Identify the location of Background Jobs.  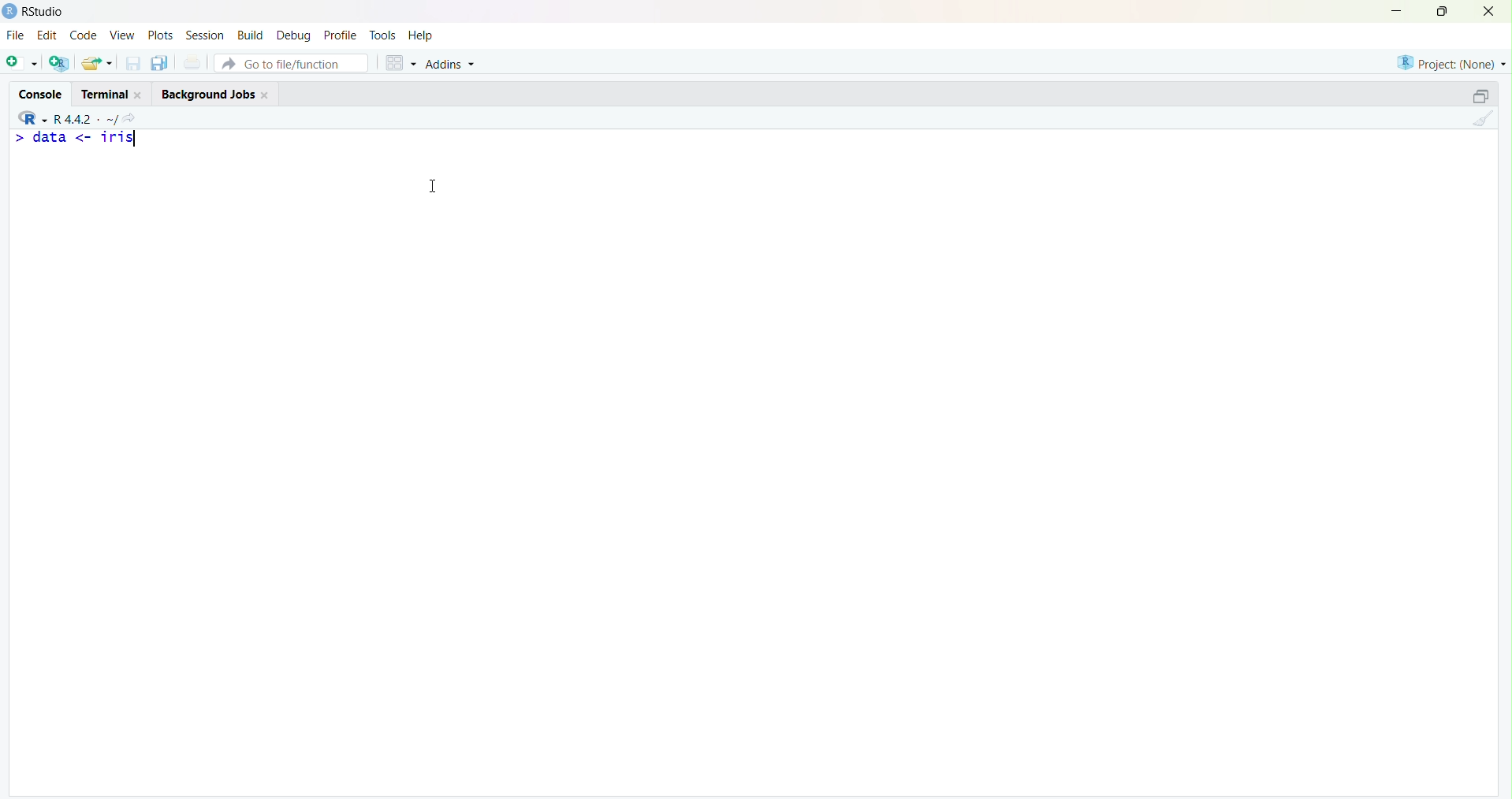
(215, 93).